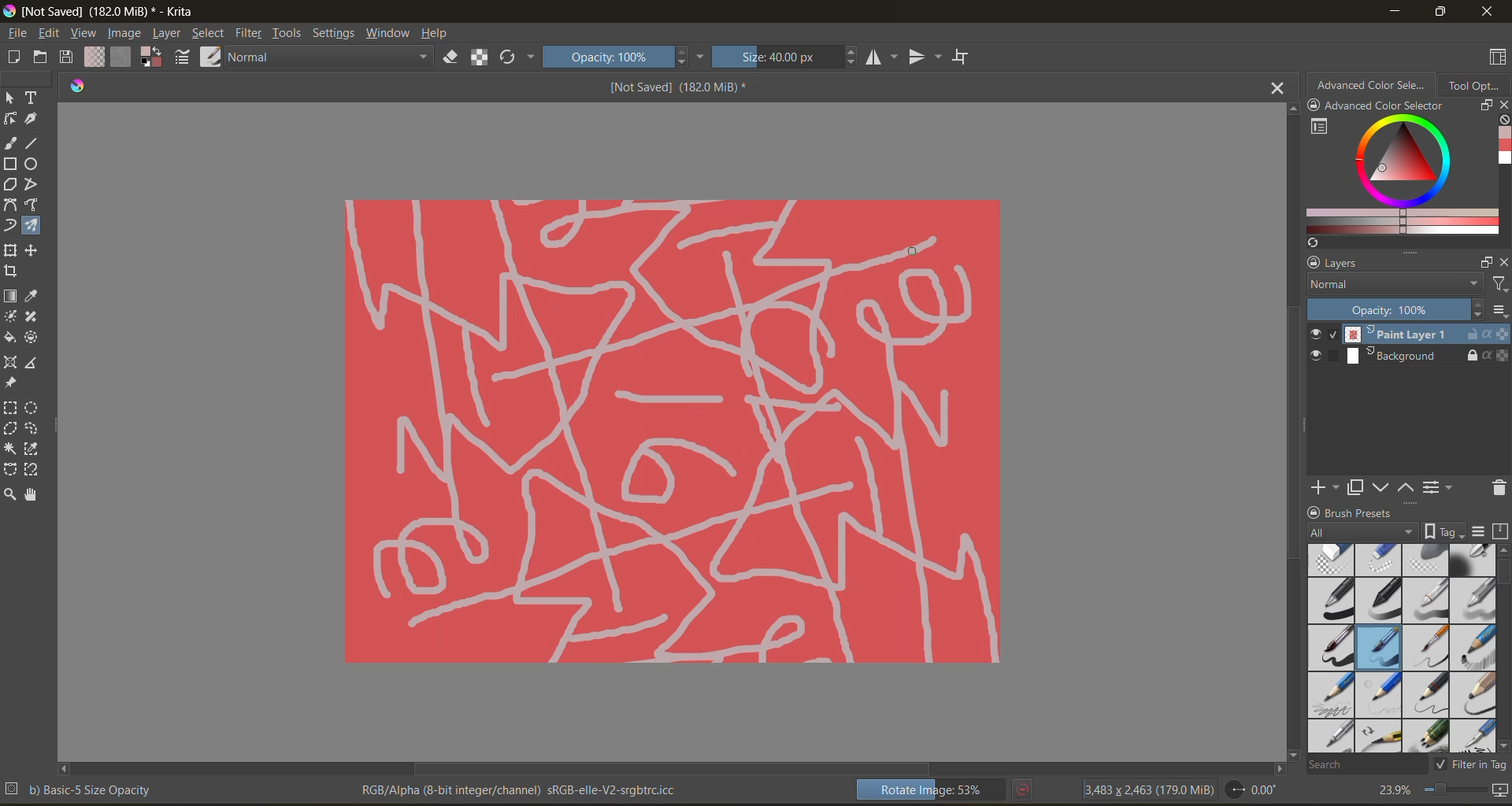  What do you see at coordinates (1503, 122) in the screenshot?
I see `clear all color history` at bounding box center [1503, 122].